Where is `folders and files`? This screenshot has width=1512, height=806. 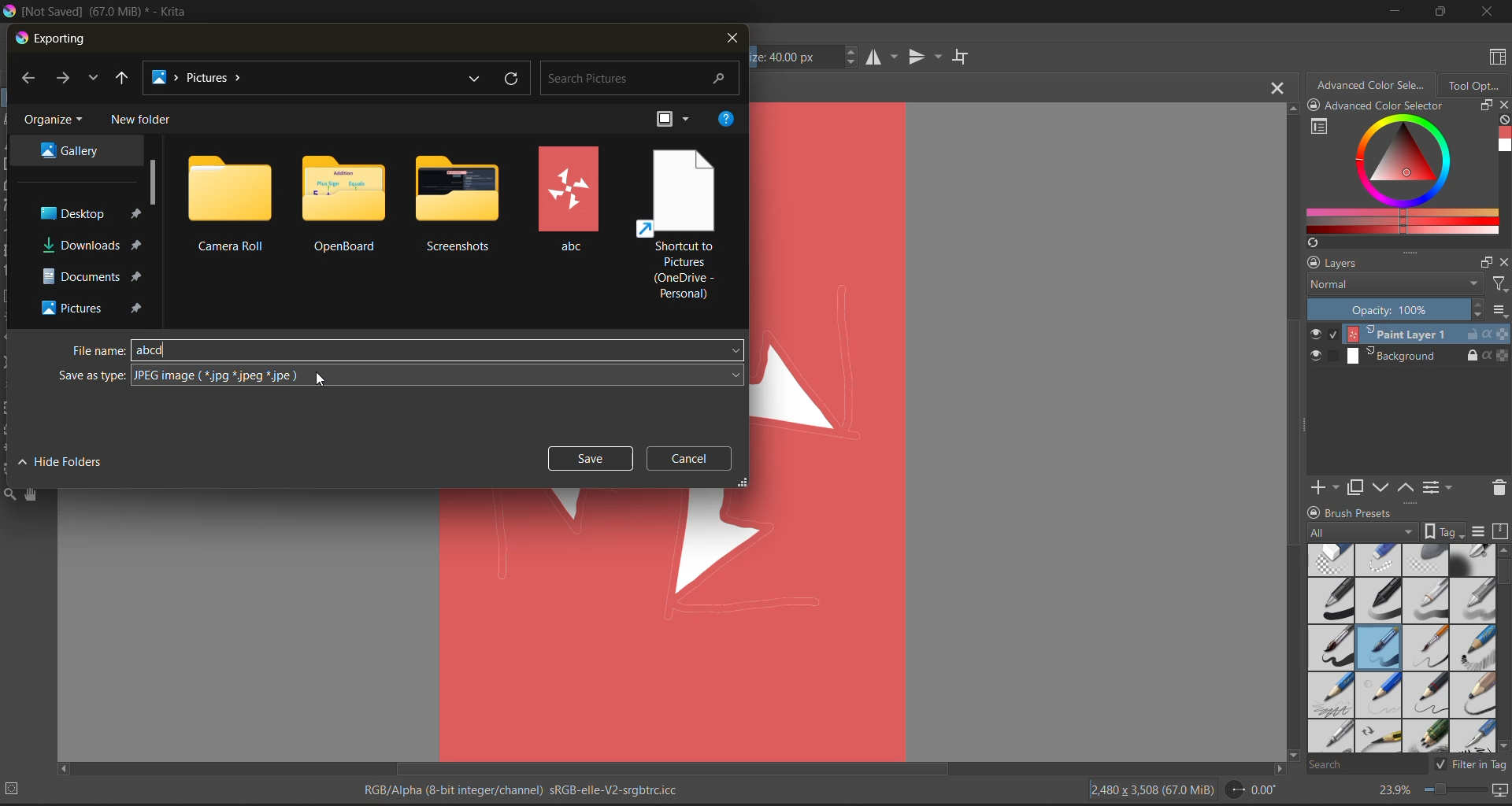 folders and files is located at coordinates (572, 198).